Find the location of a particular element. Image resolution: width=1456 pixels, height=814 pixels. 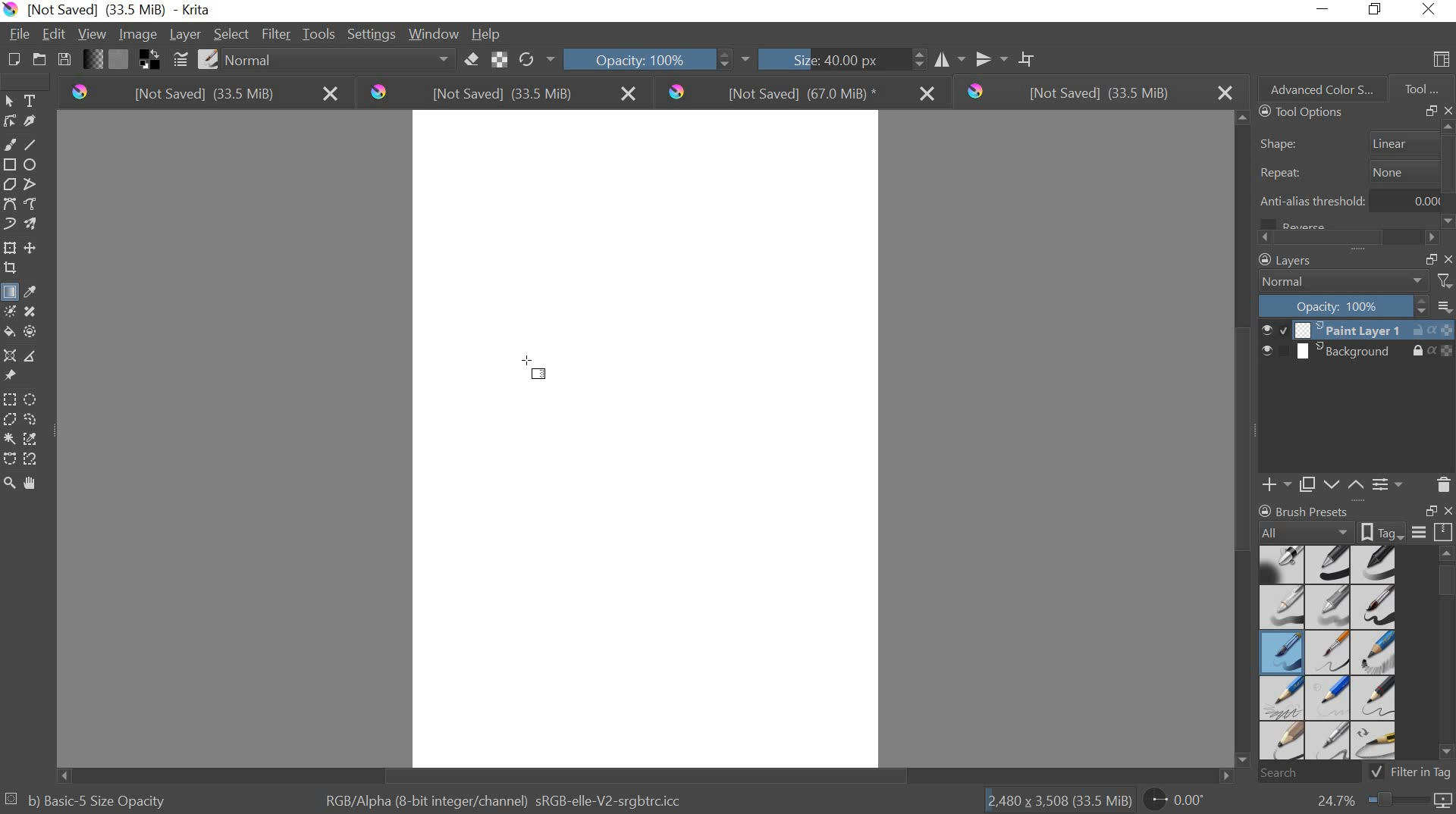

HORIZONTAL MIROR TOOL is located at coordinates (927, 57).